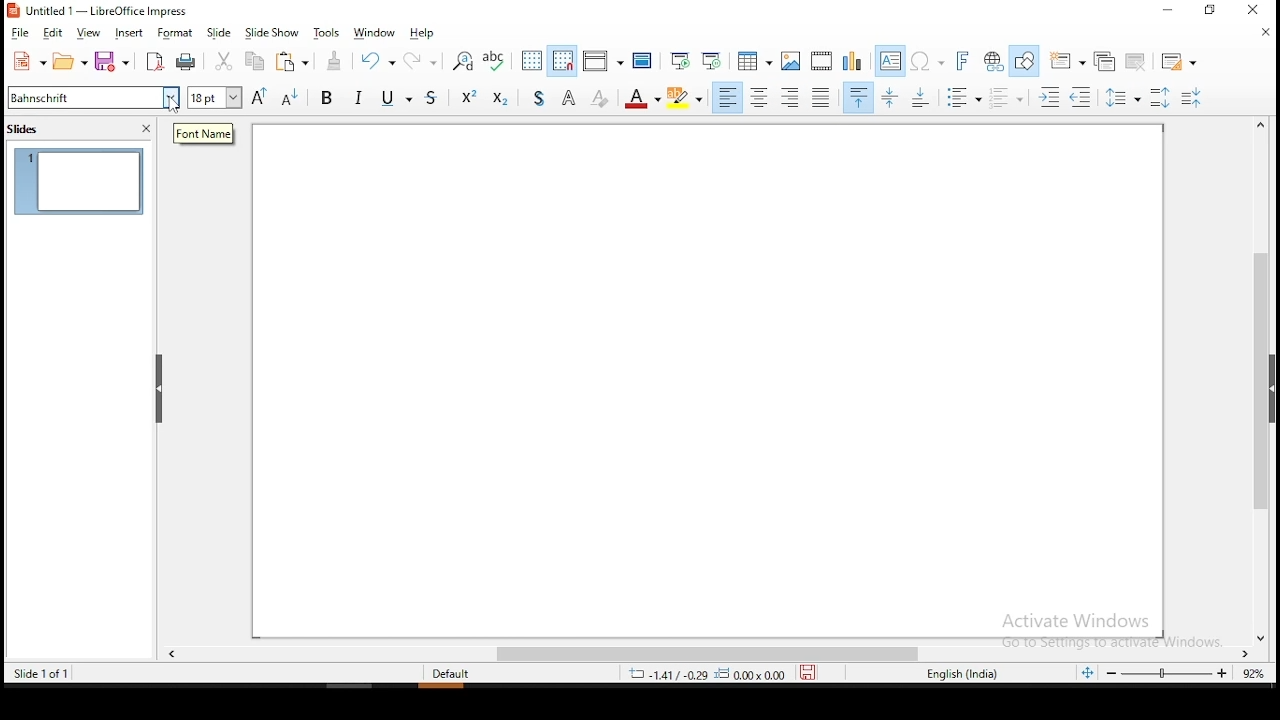 The height and width of the screenshot is (720, 1280). Describe the element at coordinates (1051, 96) in the screenshot. I see `increase indent` at that location.